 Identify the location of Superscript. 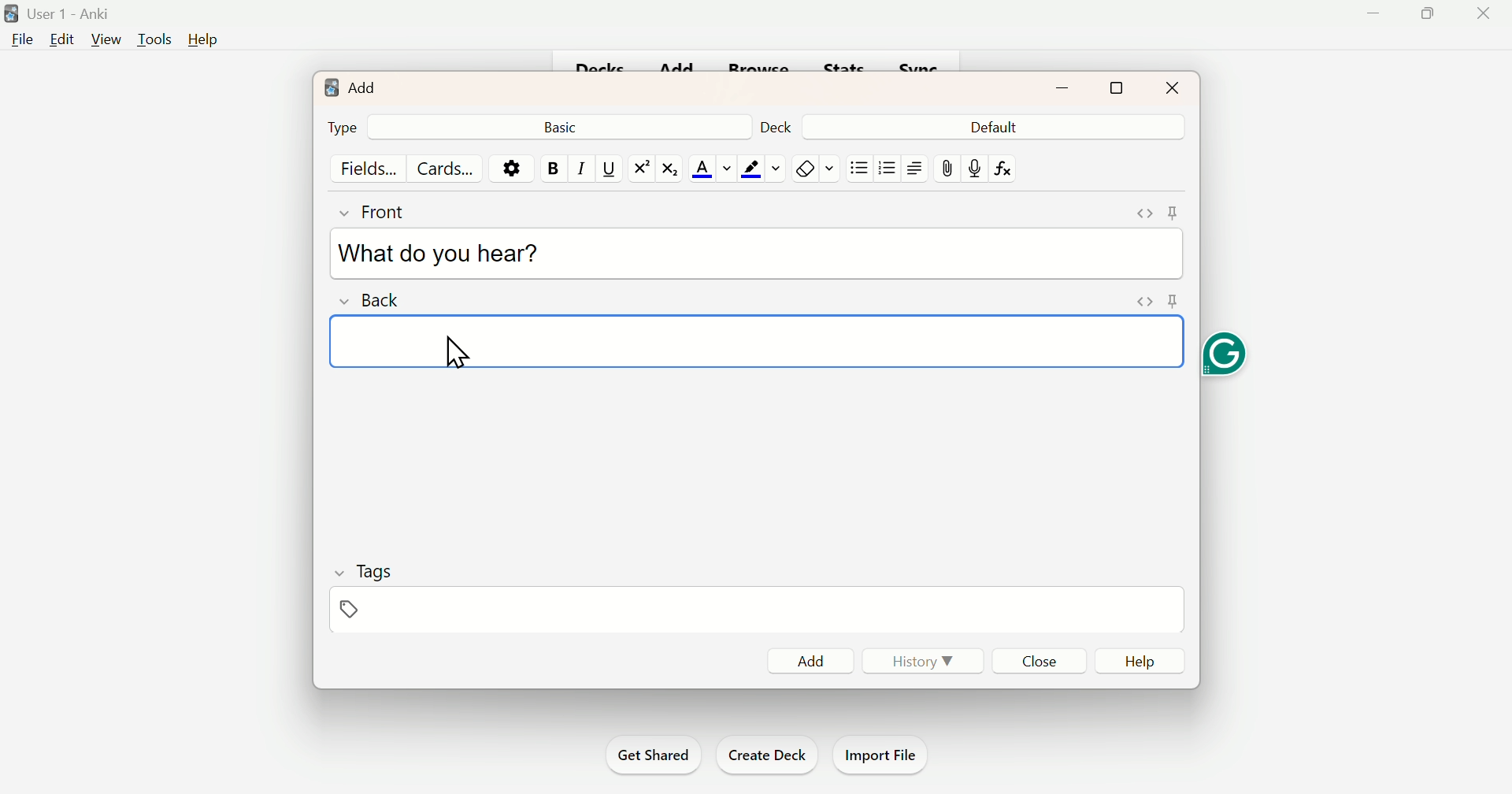
(638, 169).